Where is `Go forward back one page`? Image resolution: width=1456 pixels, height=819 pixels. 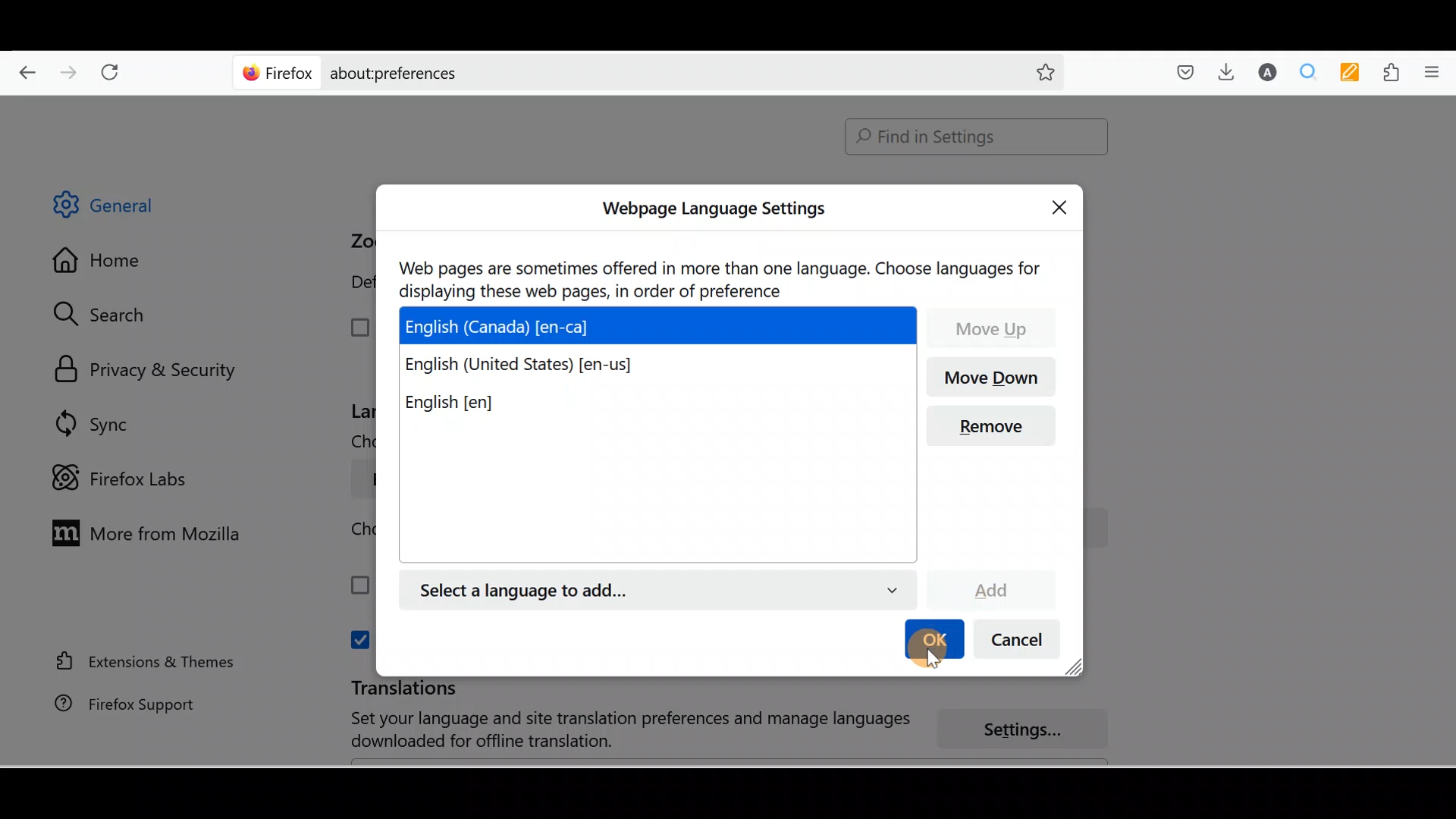 Go forward back one page is located at coordinates (71, 71).